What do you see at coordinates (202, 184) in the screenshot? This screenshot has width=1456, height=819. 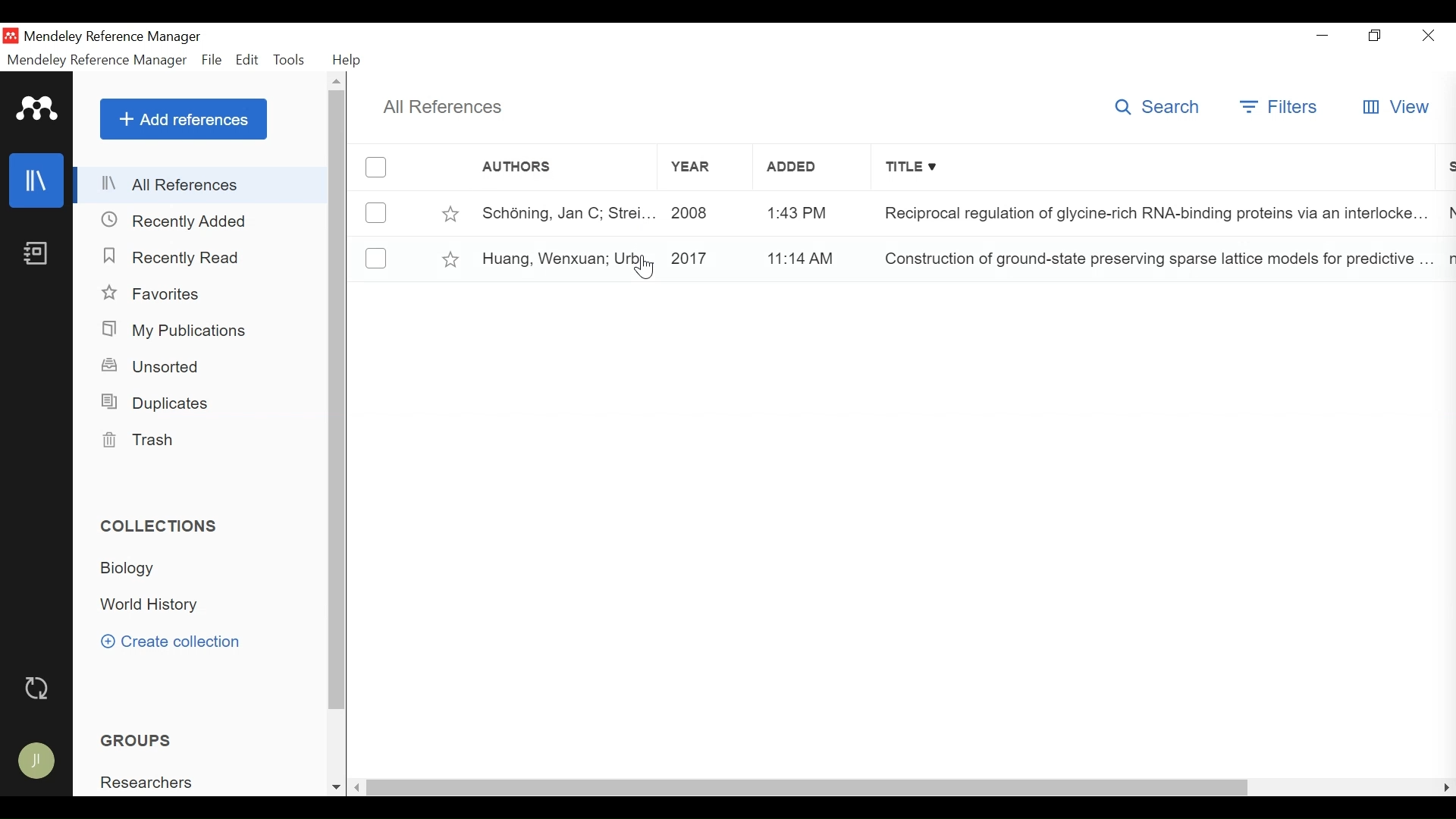 I see `All References` at bounding box center [202, 184].